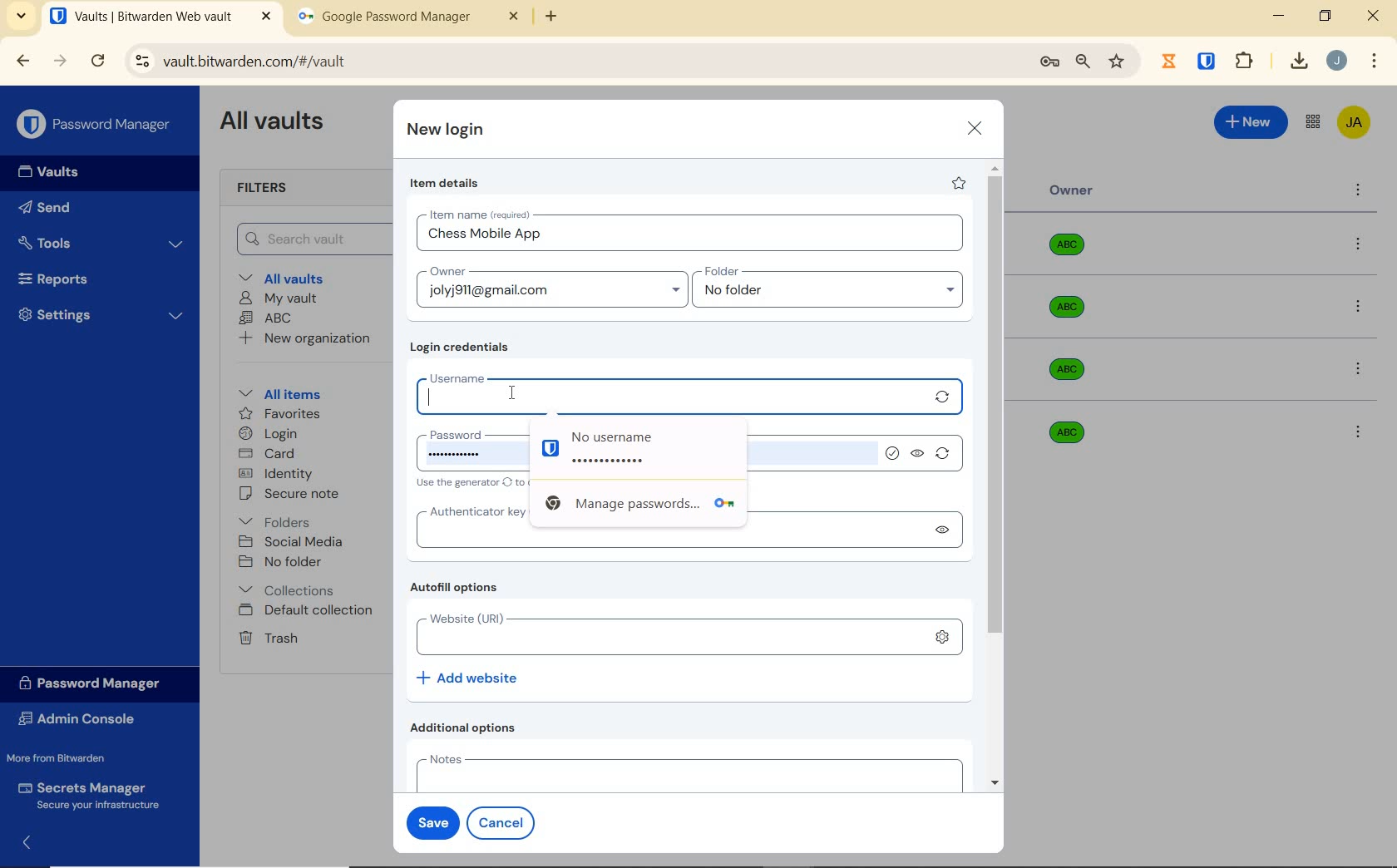 The width and height of the screenshot is (1397, 868). I want to click on secure note, so click(294, 494).